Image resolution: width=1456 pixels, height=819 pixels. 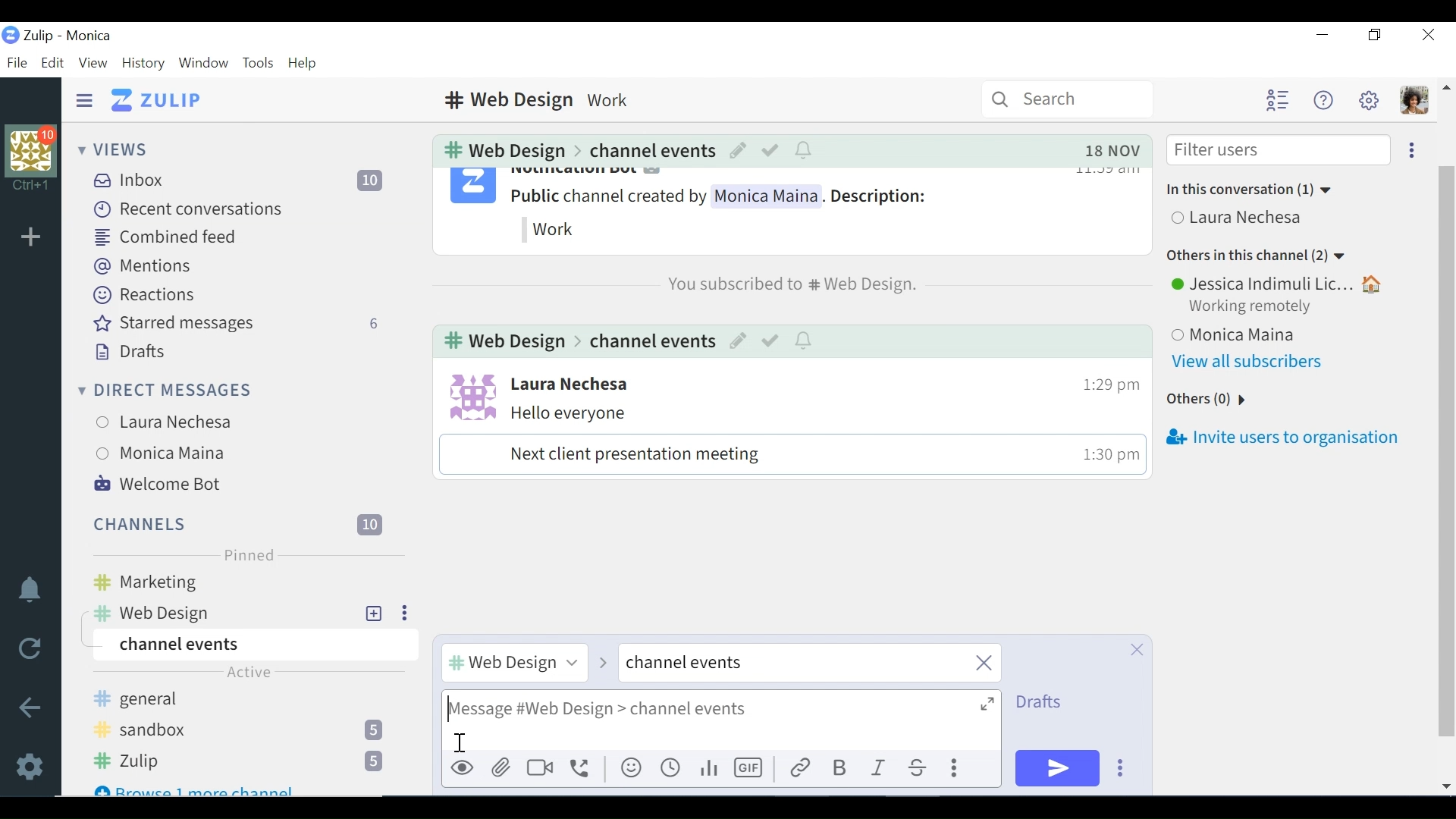 What do you see at coordinates (142, 294) in the screenshot?
I see `Reactions` at bounding box center [142, 294].